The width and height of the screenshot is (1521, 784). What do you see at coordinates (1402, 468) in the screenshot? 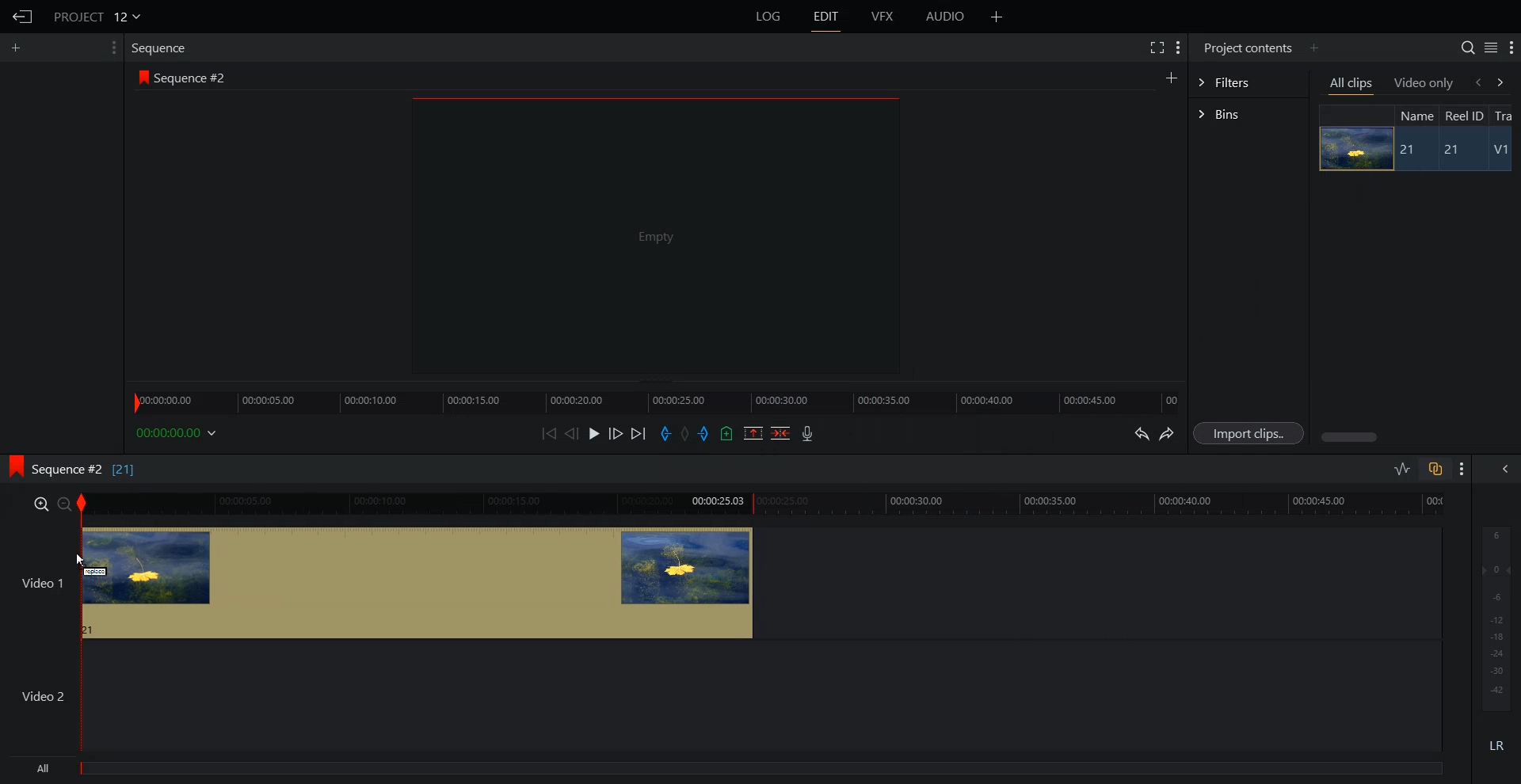
I see `Toggle audio level editing` at bounding box center [1402, 468].